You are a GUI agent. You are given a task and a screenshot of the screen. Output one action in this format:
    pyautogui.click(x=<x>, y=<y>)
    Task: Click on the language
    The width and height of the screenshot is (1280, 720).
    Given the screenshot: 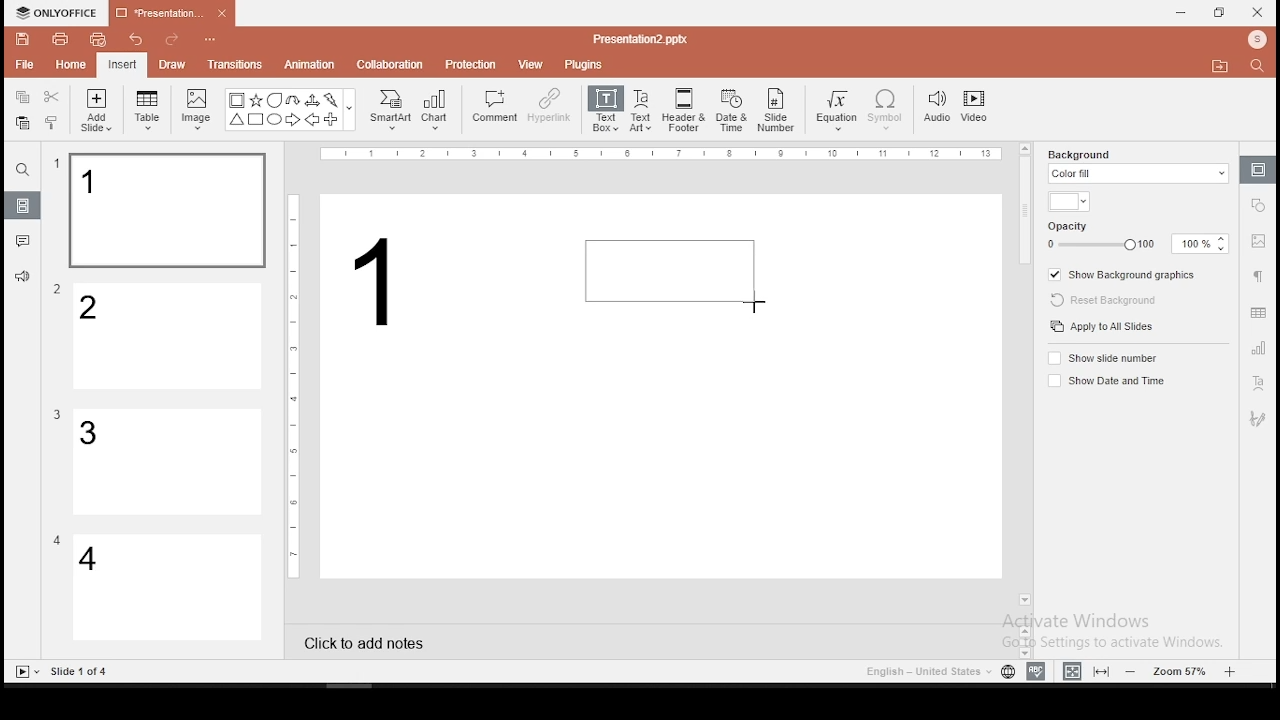 What is the action you would take?
    pyautogui.click(x=1007, y=672)
    